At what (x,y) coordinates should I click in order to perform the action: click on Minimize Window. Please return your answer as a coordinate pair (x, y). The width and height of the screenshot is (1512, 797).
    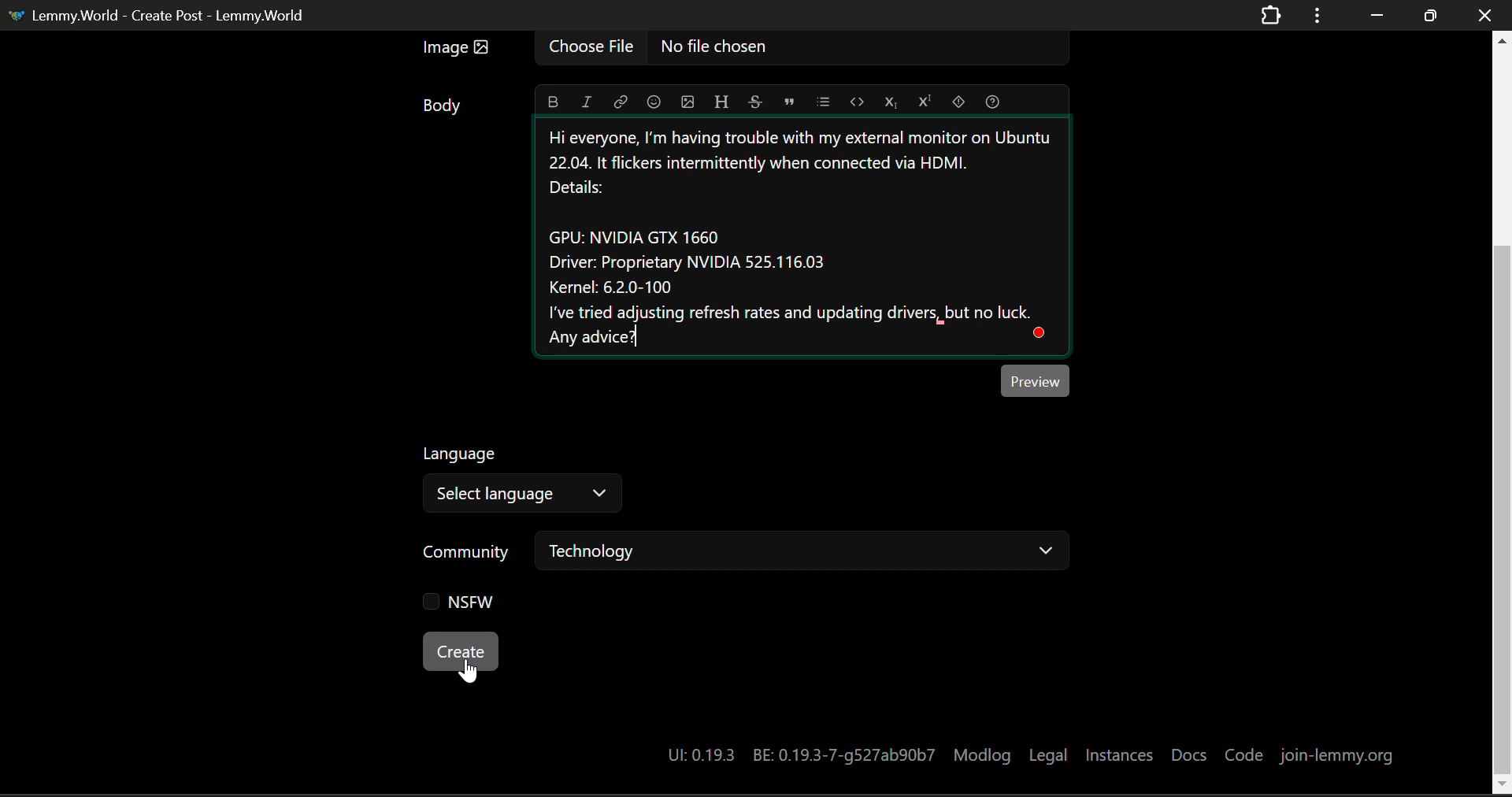
    Looking at the image, I should click on (1428, 17).